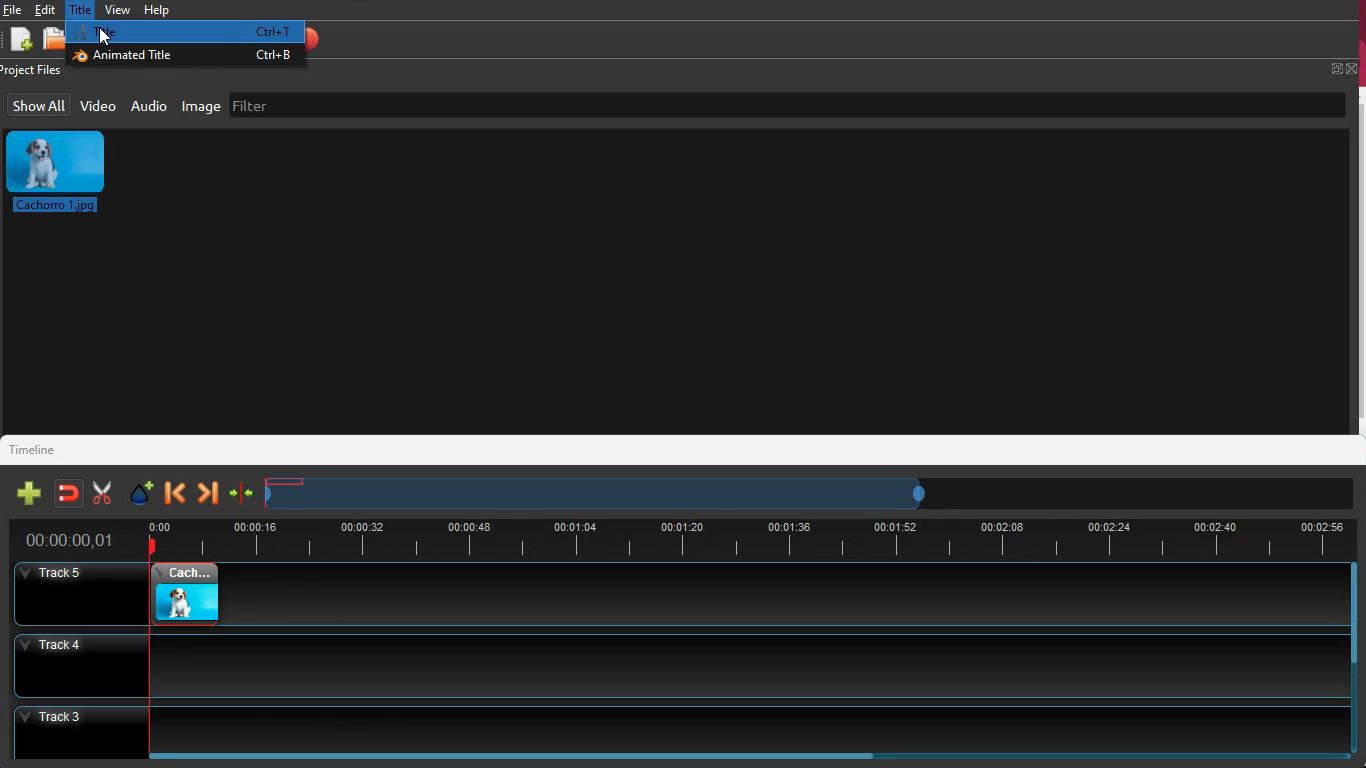 The image size is (1366, 768). I want to click on file, so click(13, 10).